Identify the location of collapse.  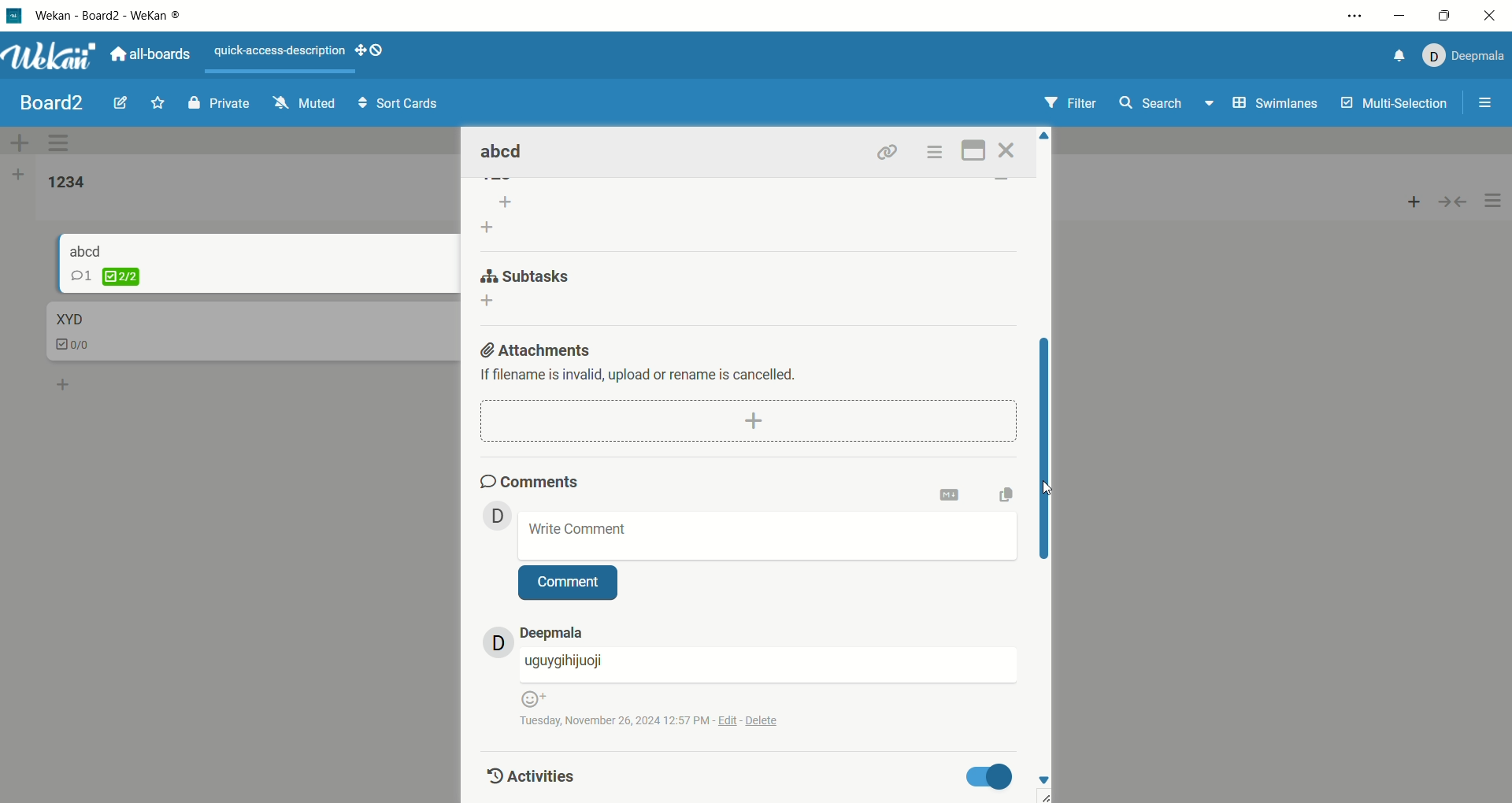
(1459, 200).